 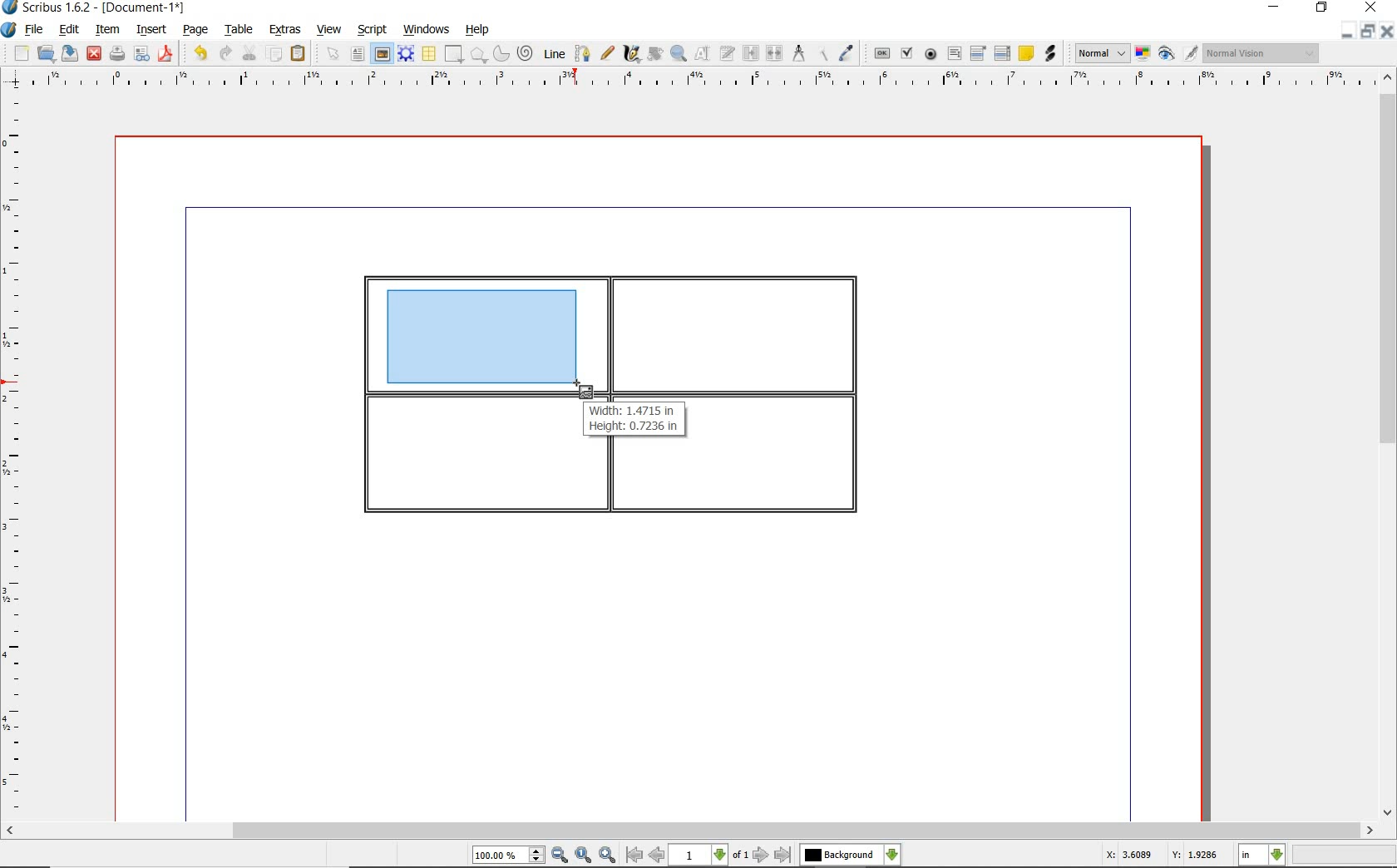 What do you see at coordinates (799, 53) in the screenshot?
I see `measurements` at bounding box center [799, 53].